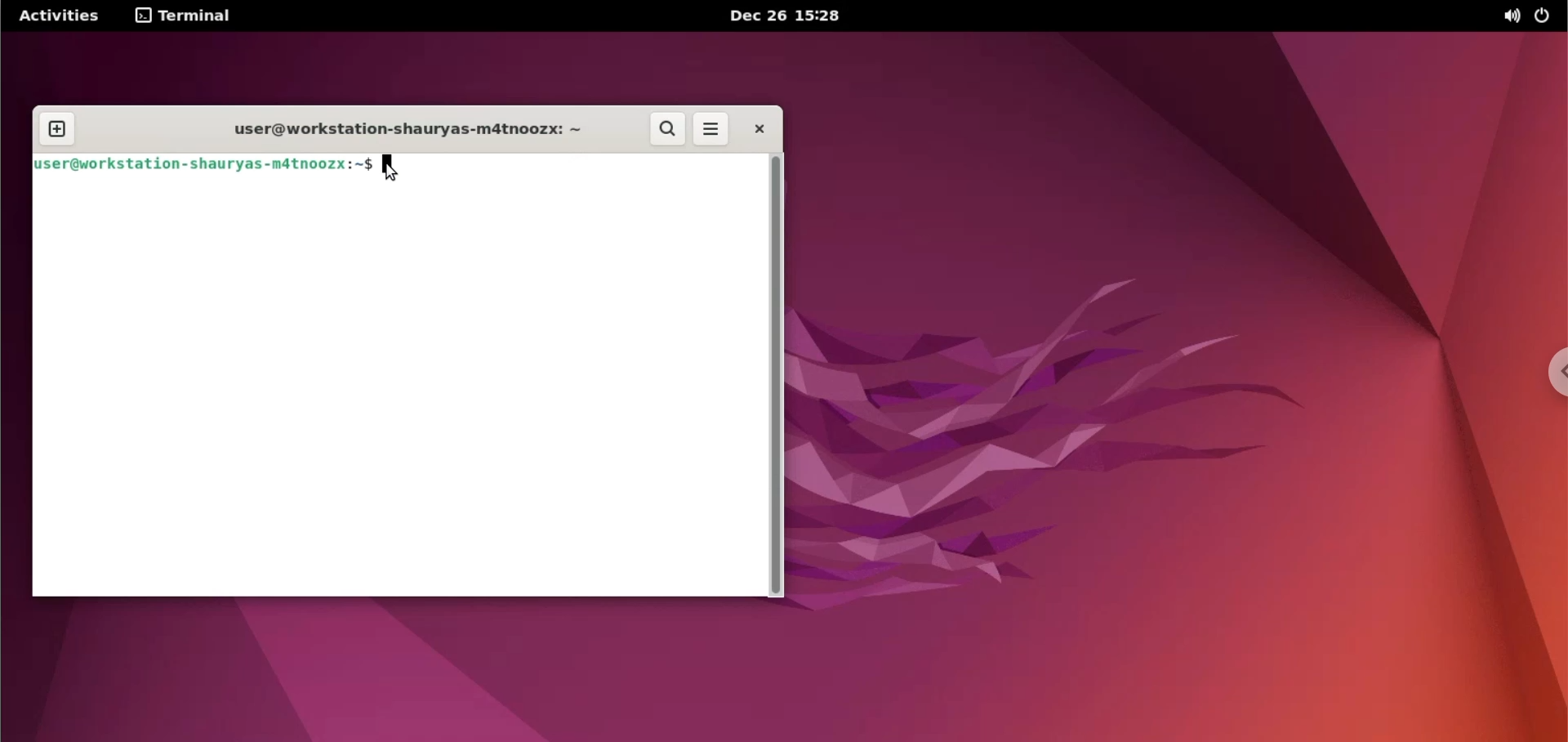 The height and width of the screenshot is (742, 1568). Describe the element at coordinates (777, 376) in the screenshot. I see `scrollbar` at that location.